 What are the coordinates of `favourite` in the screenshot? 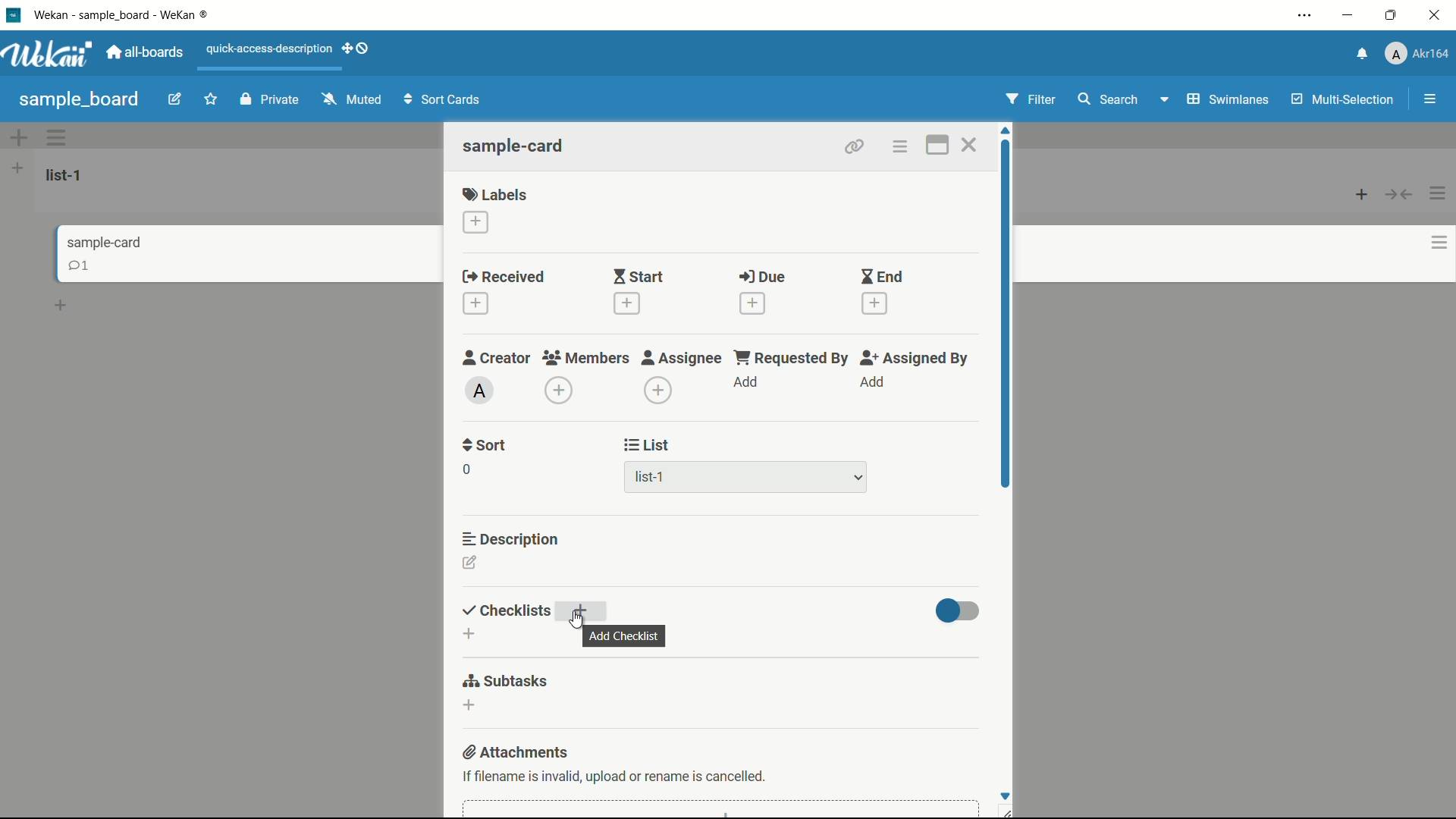 It's located at (211, 96).